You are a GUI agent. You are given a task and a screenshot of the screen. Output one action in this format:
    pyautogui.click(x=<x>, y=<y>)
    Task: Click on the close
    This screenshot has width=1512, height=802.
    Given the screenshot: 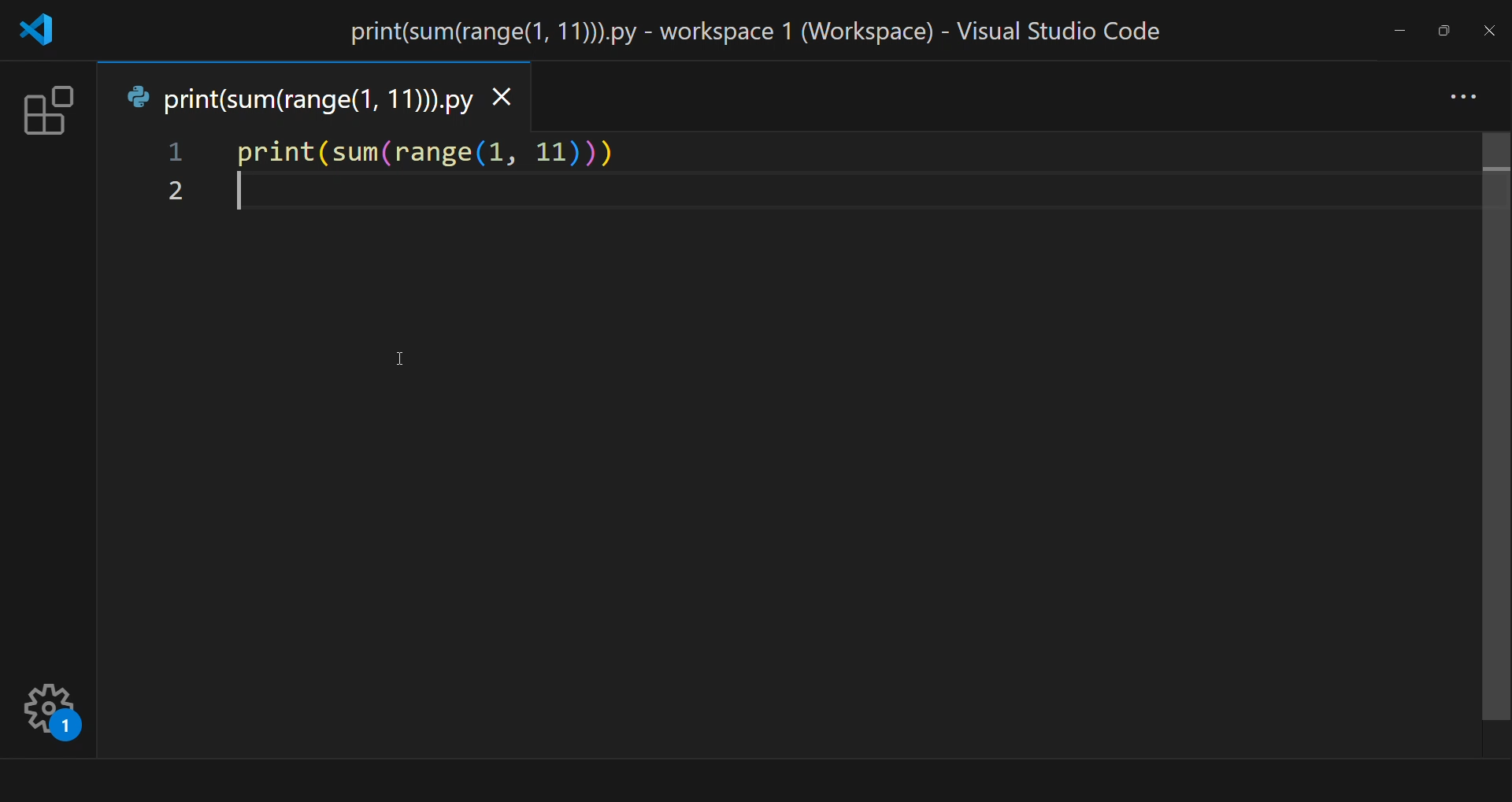 What is the action you would take?
    pyautogui.click(x=1488, y=29)
    